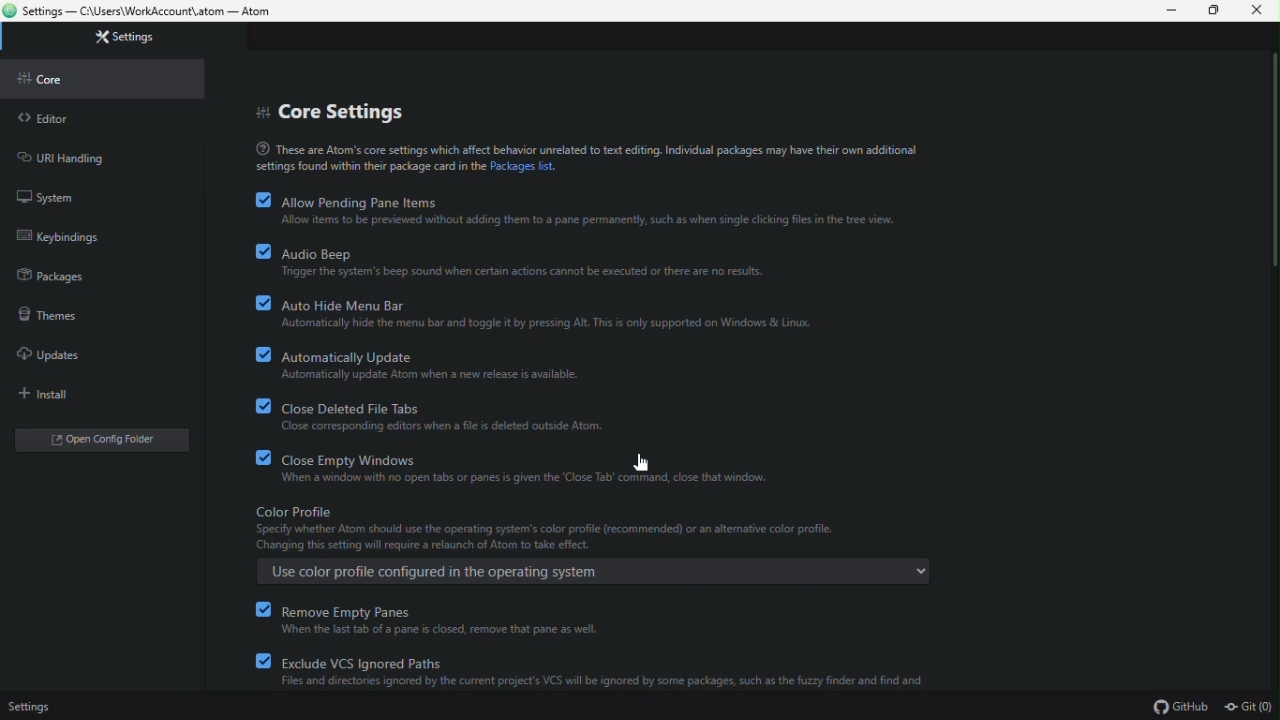  I want to click on Allow pending pane items, so click(610, 209).